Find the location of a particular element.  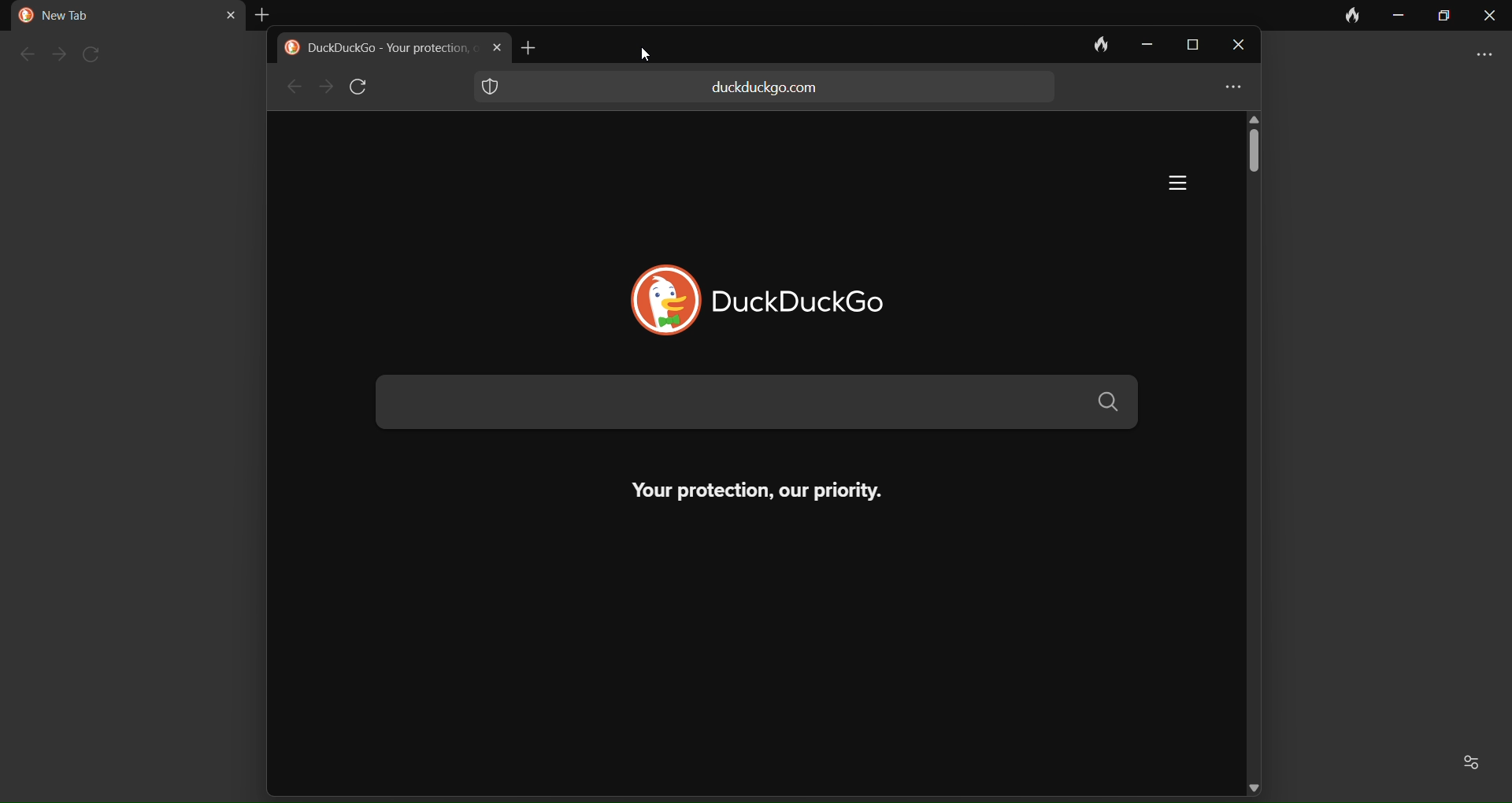

new tab is located at coordinates (534, 46).